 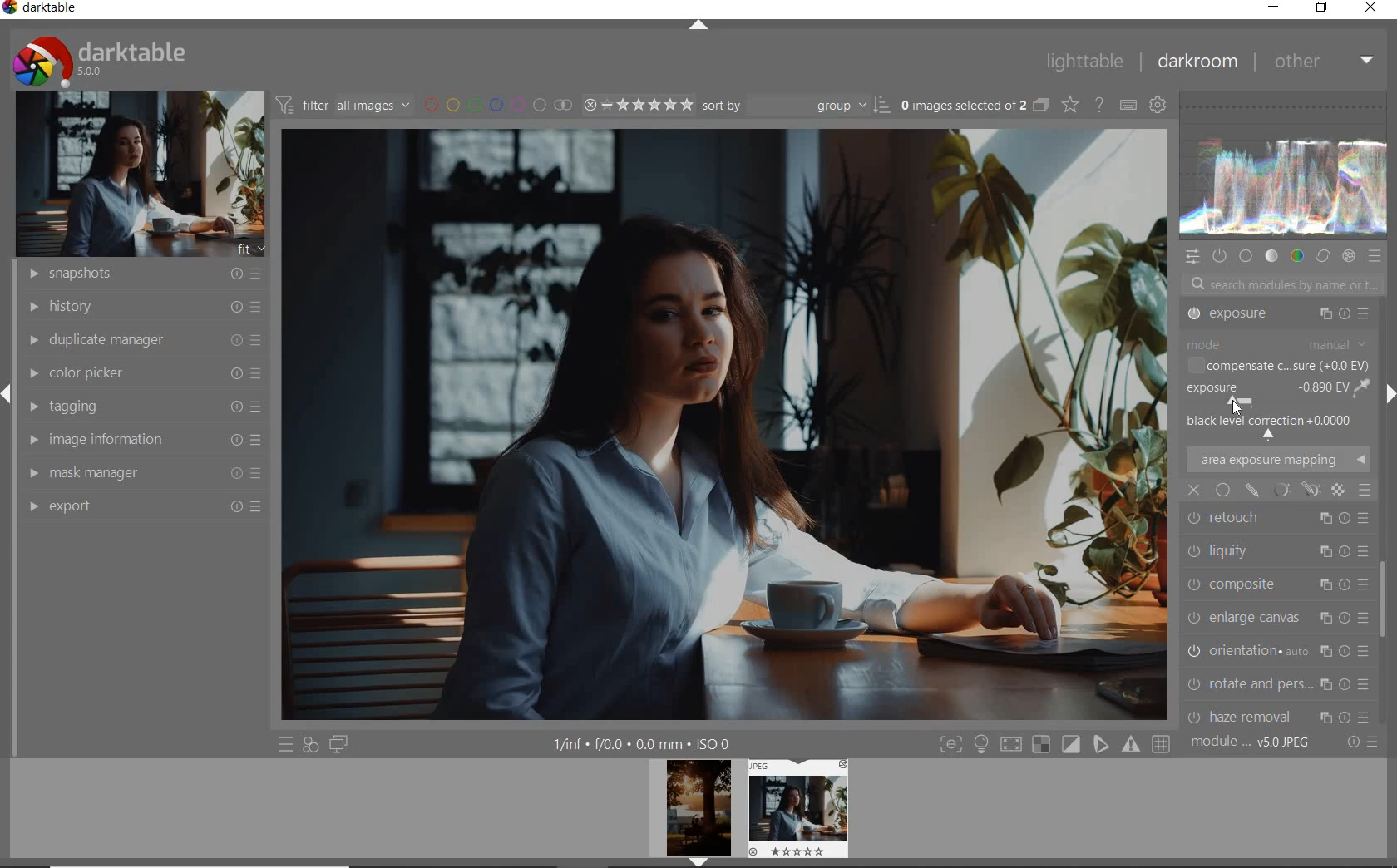 I want to click on FILTER BY IMAGE COLOR LABEL, so click(x=496, y=106).